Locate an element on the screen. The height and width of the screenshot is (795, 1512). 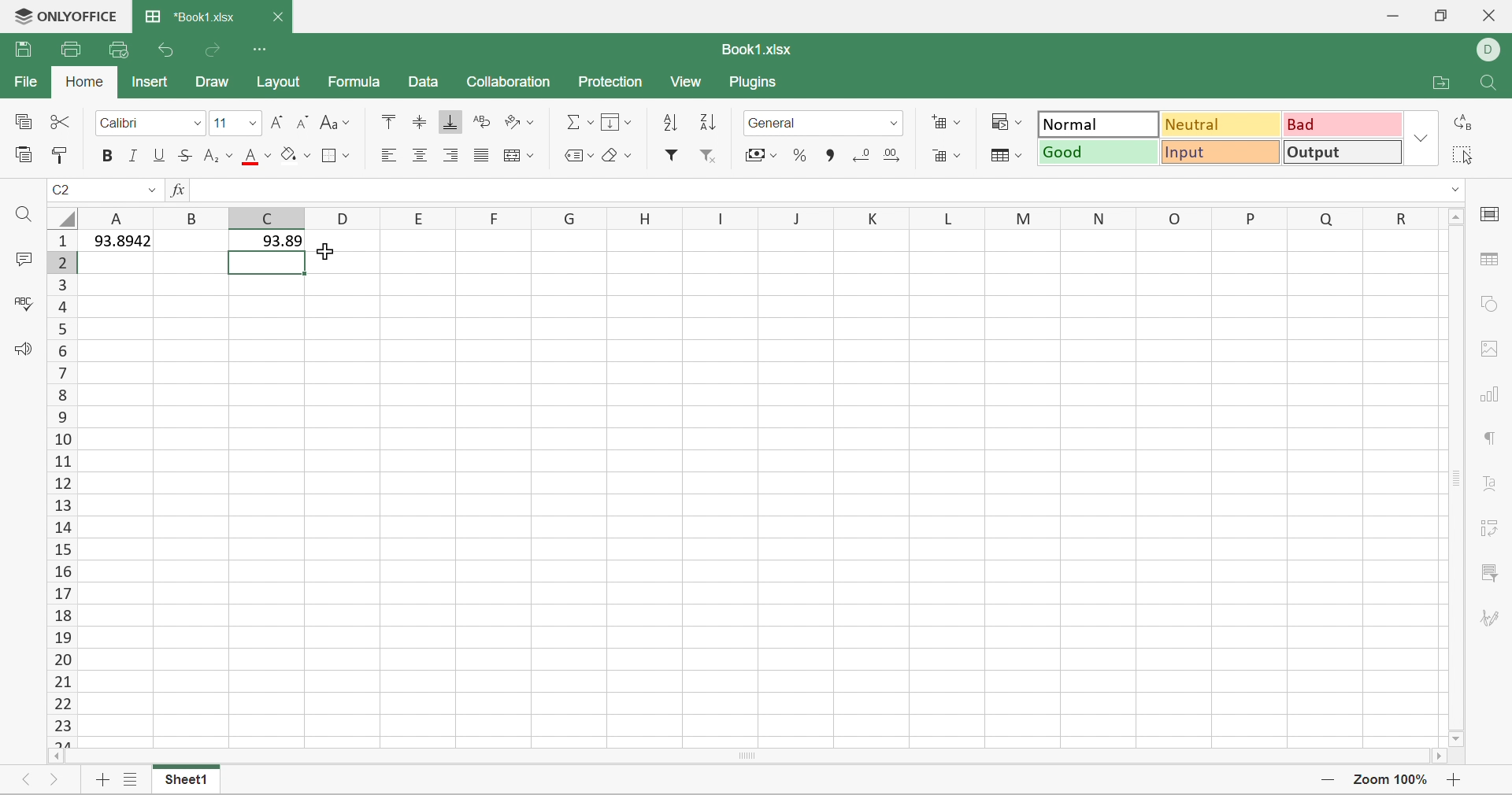
Justified is located at coordinates (480, 157).